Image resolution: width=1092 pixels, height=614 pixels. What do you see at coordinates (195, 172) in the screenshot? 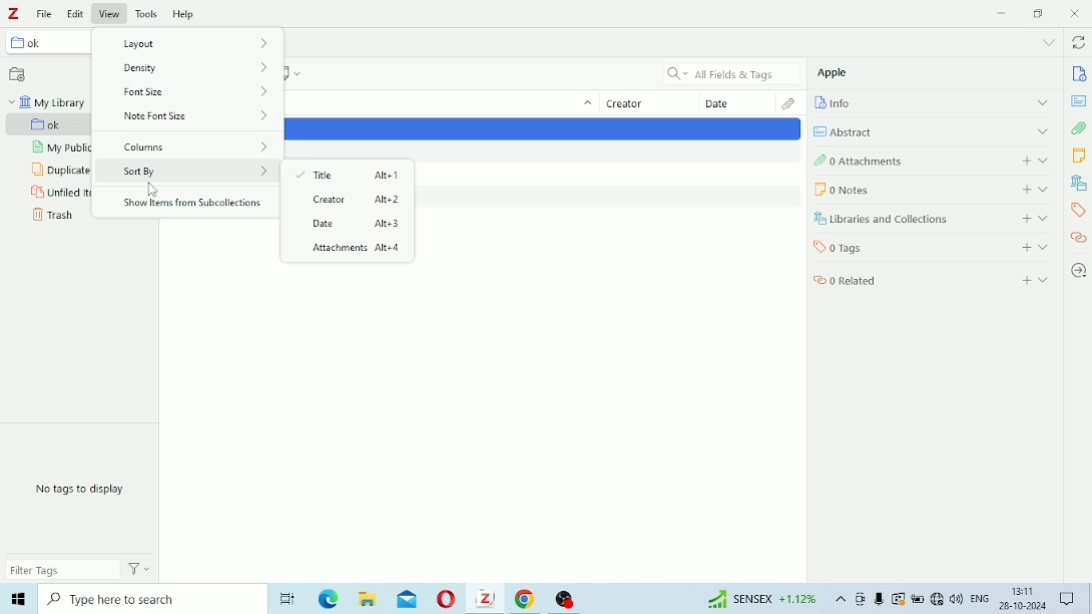
I see `Sort By` at bounding box center [195, 172].